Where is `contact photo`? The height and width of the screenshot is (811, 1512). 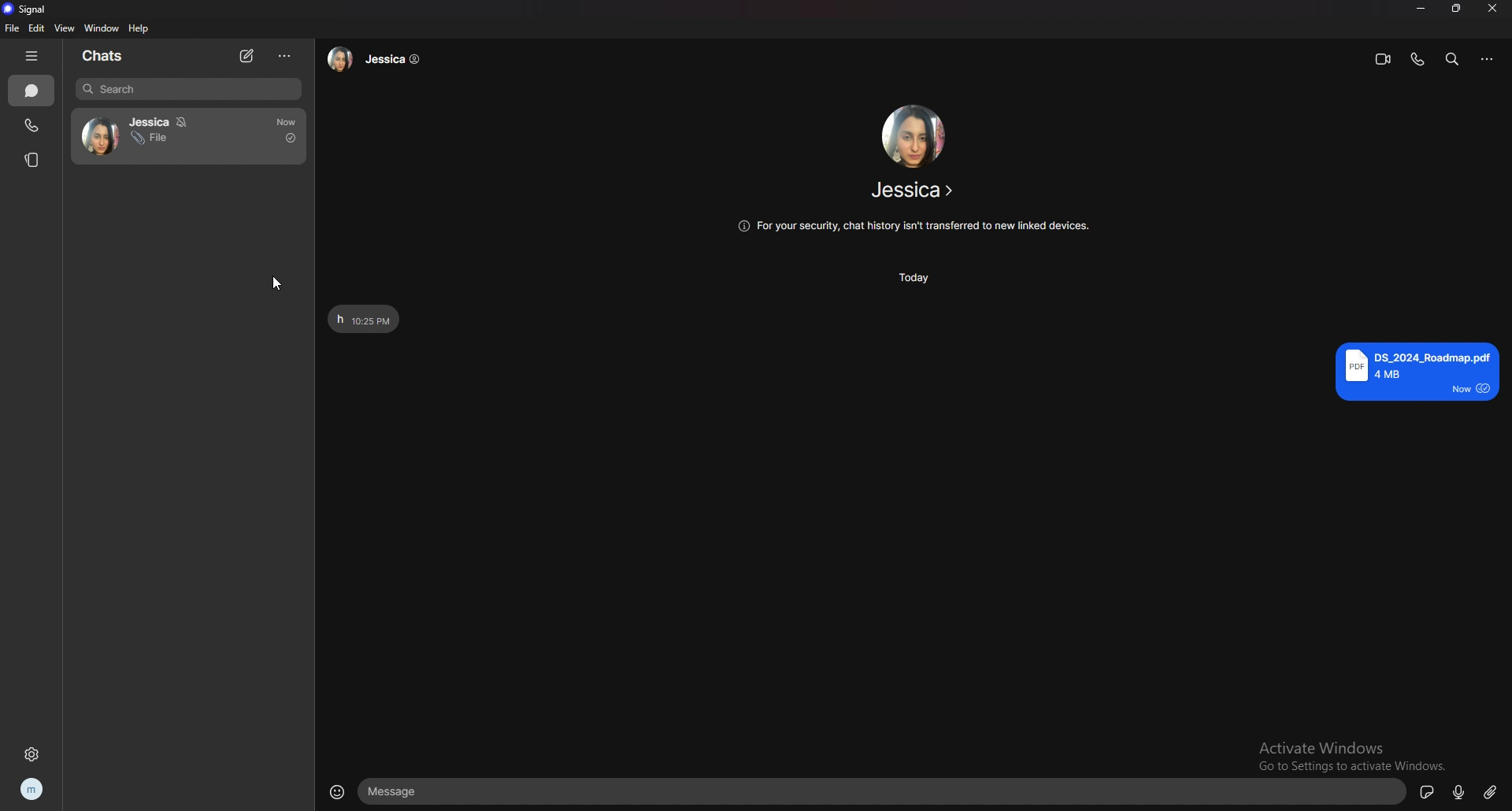 contact photo is located at coordinates (912, 135).